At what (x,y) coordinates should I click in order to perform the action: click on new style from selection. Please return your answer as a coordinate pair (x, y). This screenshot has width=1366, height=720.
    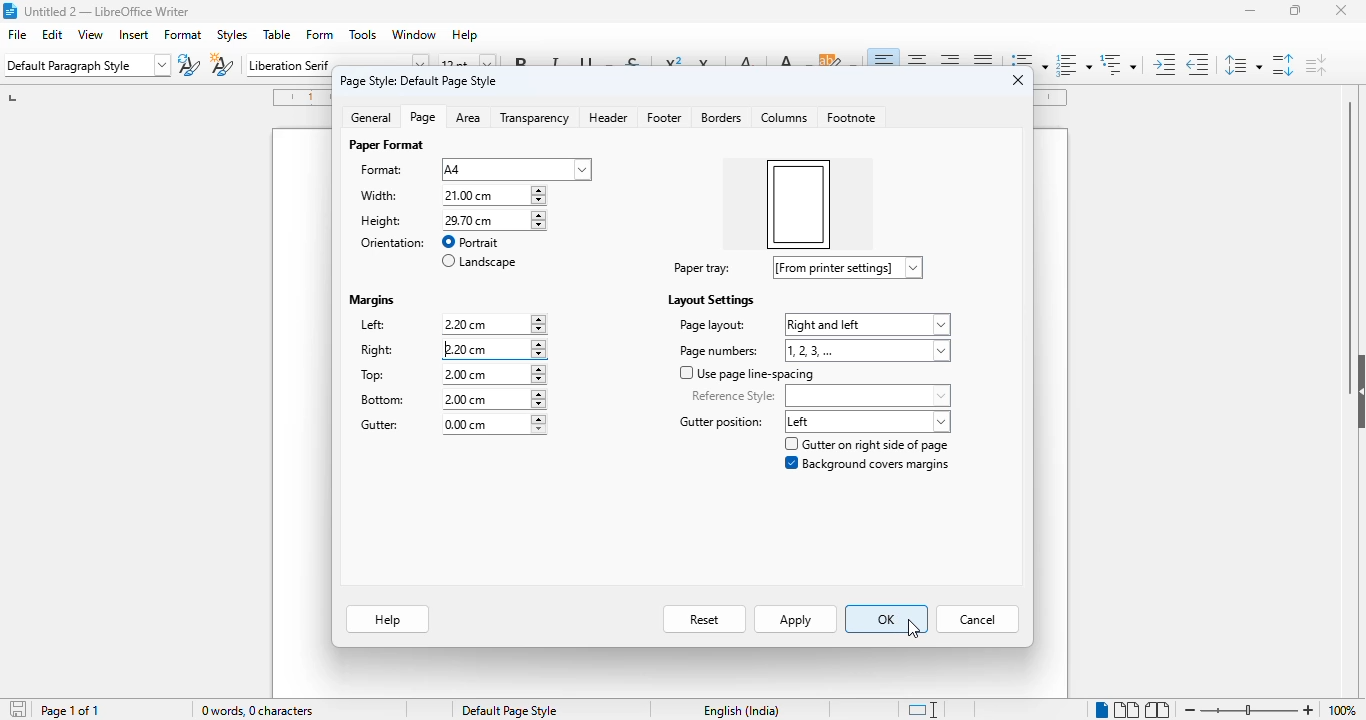
    Looking at the image, I should click on (223, 66).